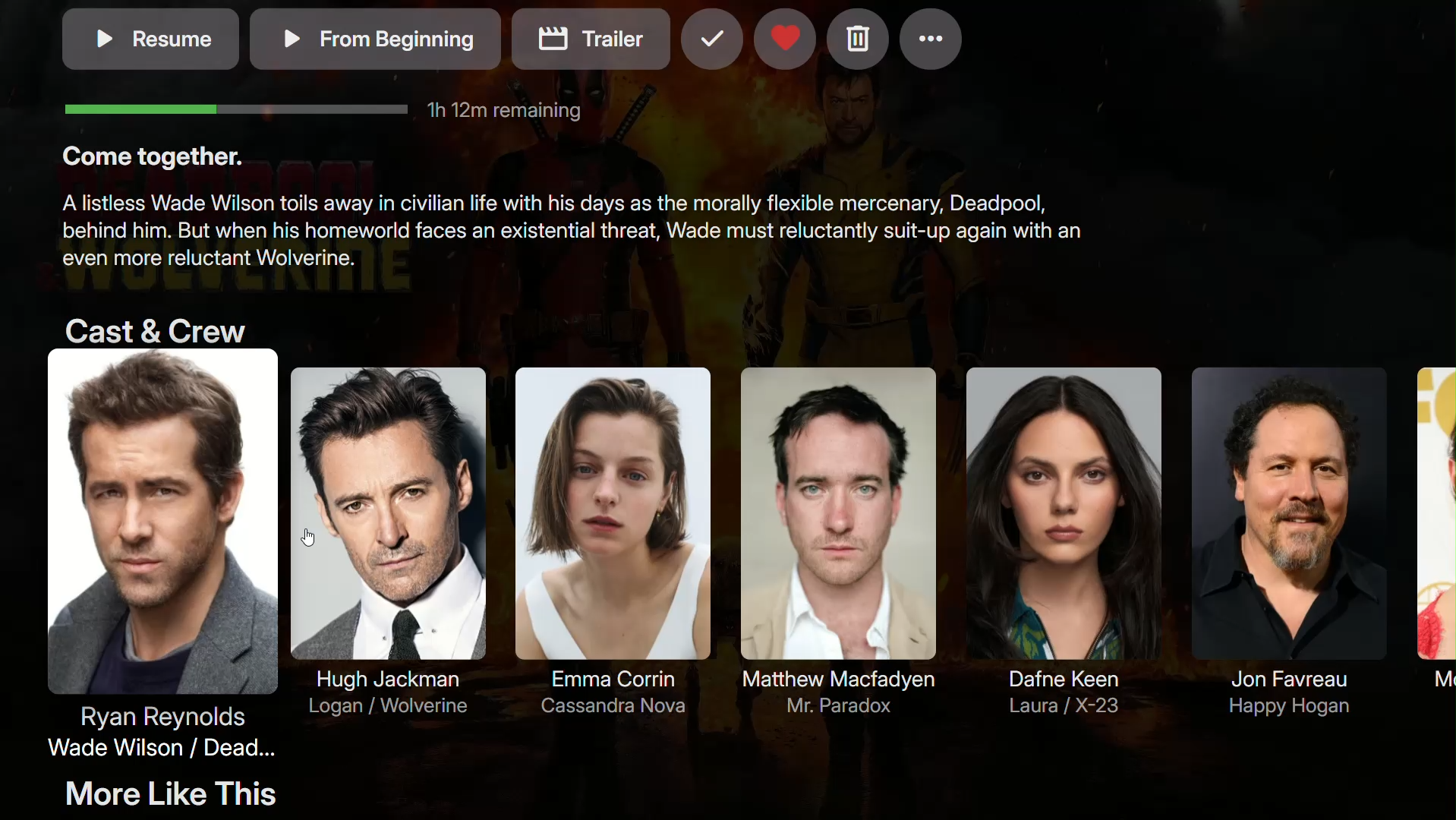  What do you see at coordinates (834, 542) in the screenshot?
I see `Mathew Macfadyen` at bounding box center [834, 542].